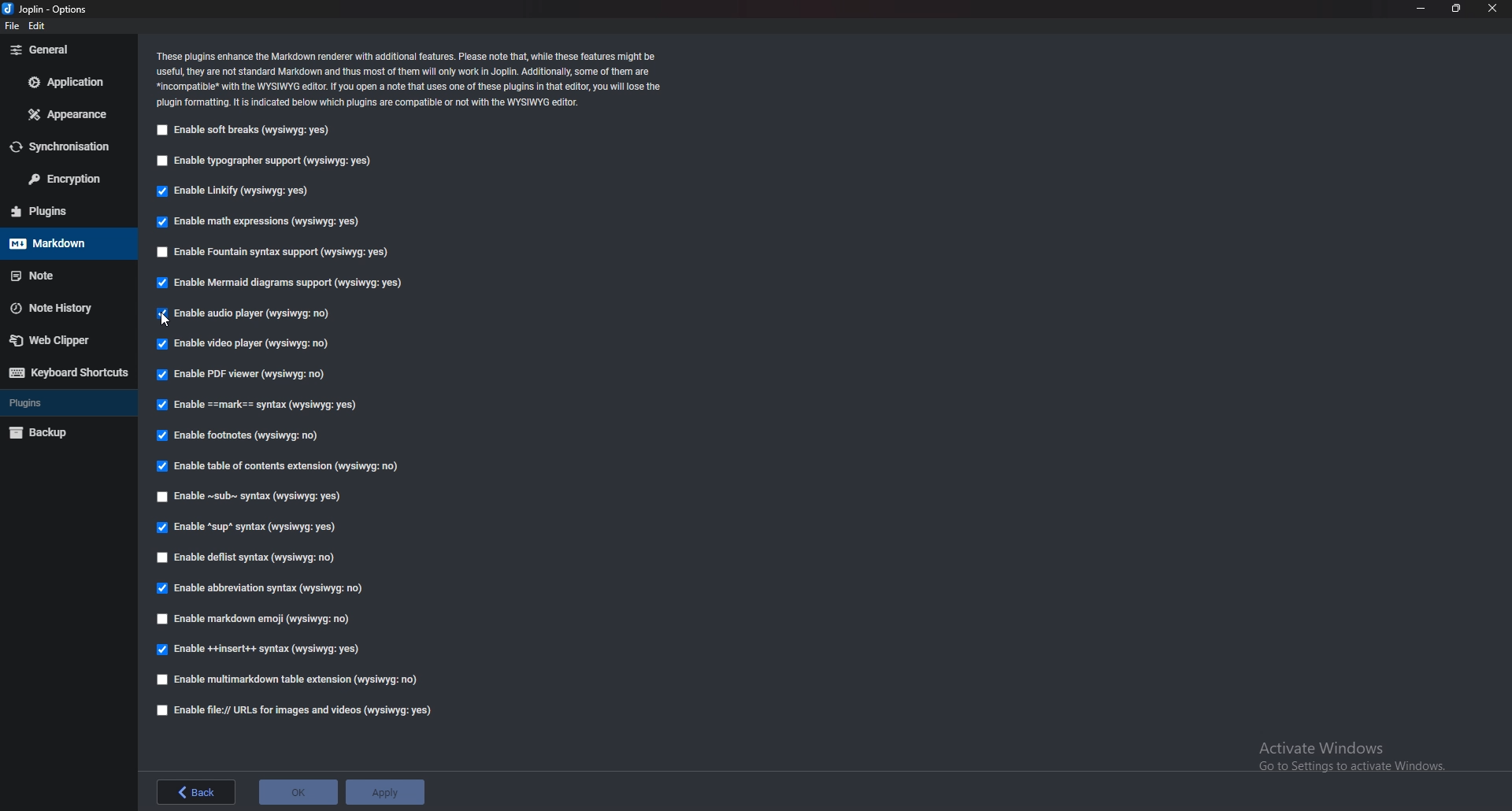 The height and width of the screenshot is (811, 1512). What do you see at coordinates (261, 650) in the screenshot?
I see `enable insert syntax` at bounding box center [261, 650].